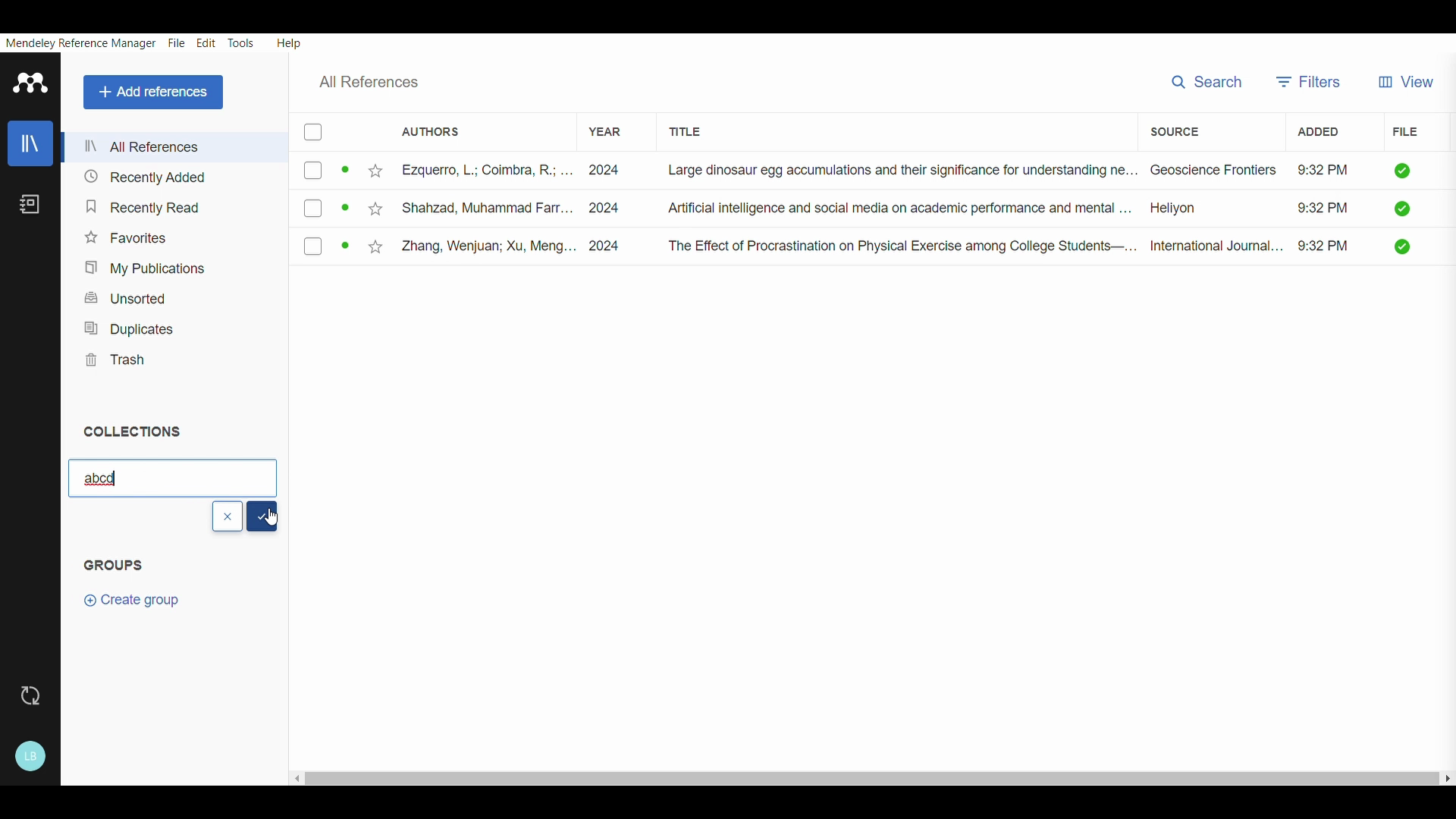  What do you see at coordinates (1041, 172) in the screenshot?
I see `Large dinosaur egg accumulations and their significance for understanding ne... Geoscience Frontiers ~~ 9:32 PM Q` at bounding box center [1041, 172].